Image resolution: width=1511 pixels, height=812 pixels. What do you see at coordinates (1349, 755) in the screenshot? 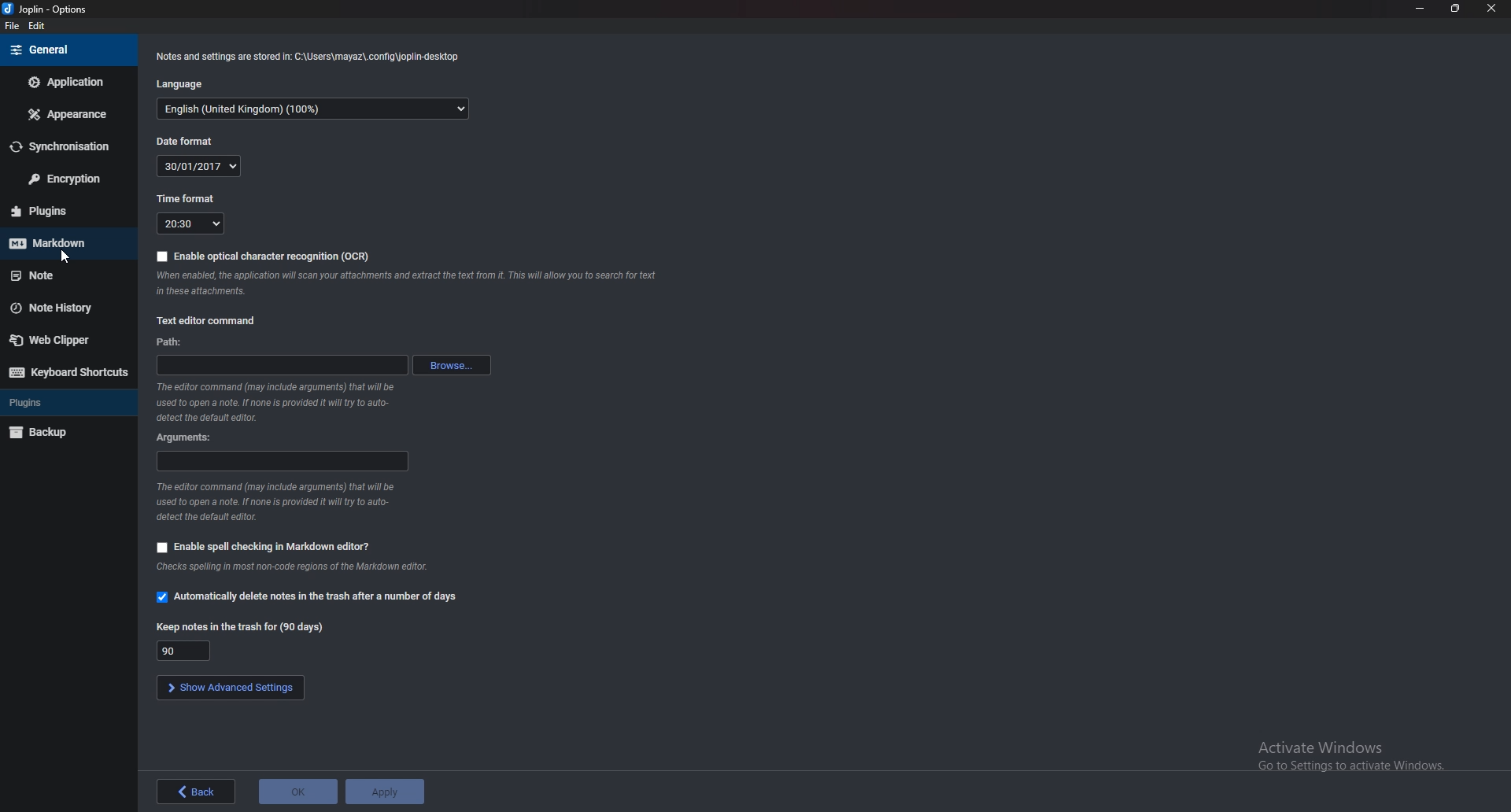
I see `activate windows message advisory` at bounding box center [1349, 755].